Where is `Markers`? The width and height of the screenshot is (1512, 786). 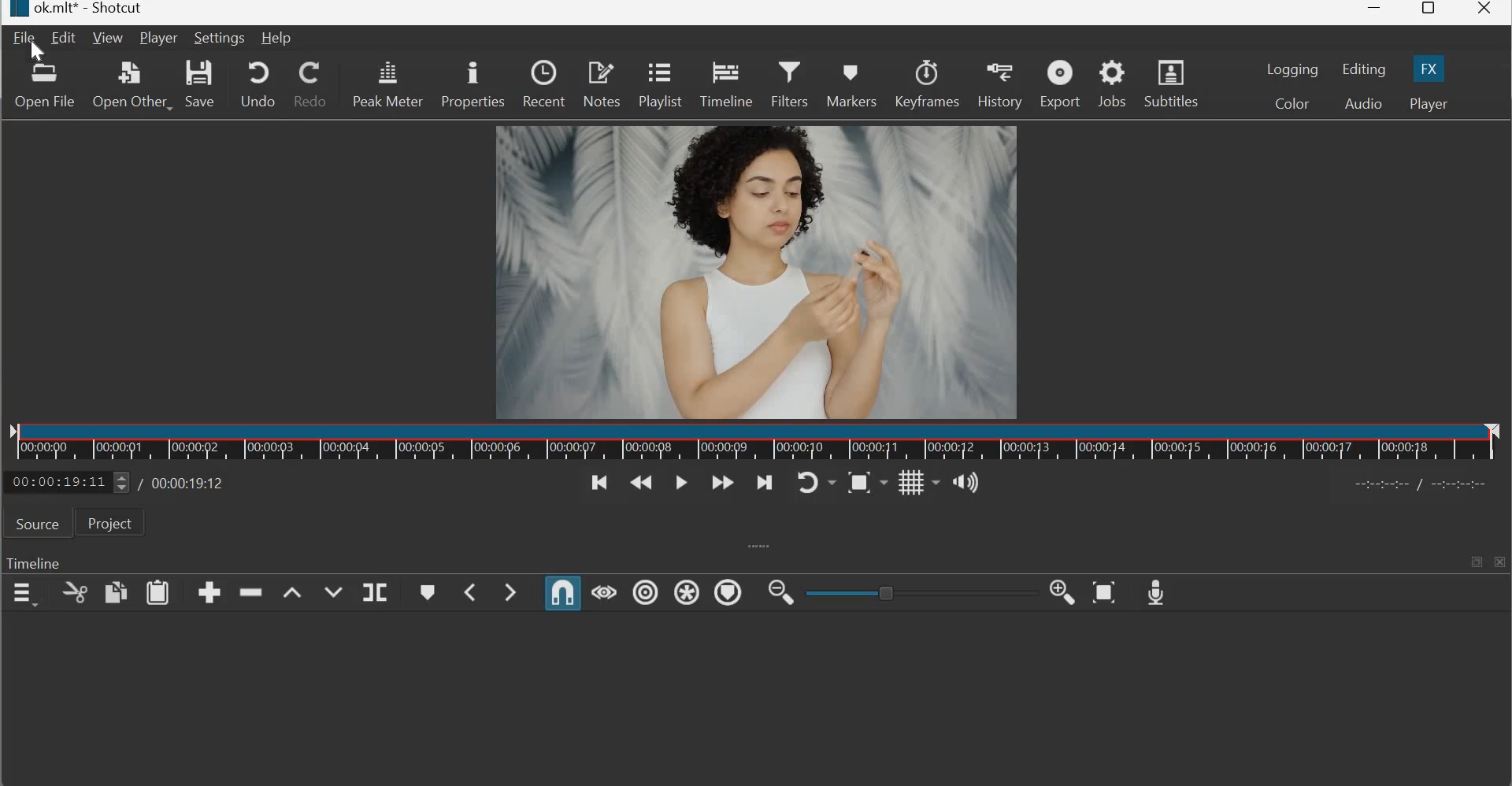
Markers is located at coordinates (850, 81).